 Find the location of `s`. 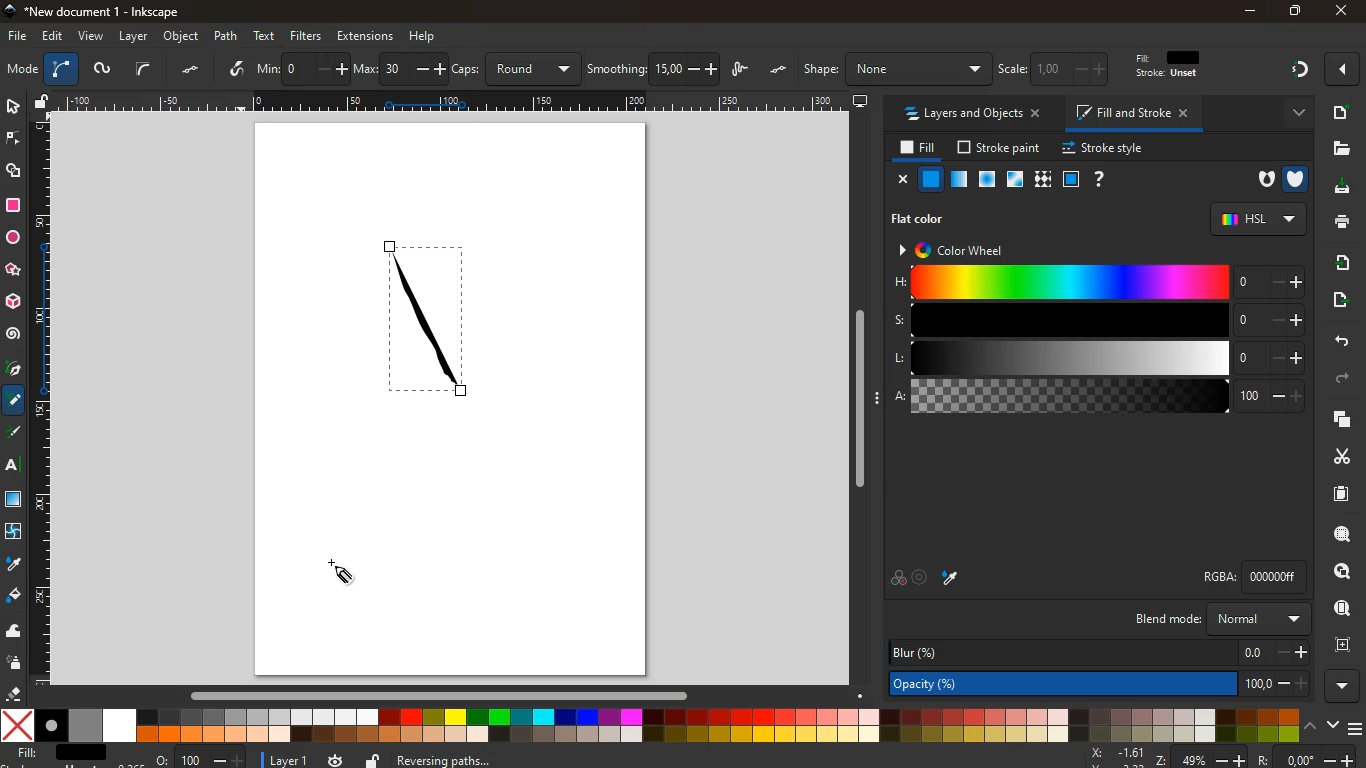

s is located at coordinates (1098, 320).